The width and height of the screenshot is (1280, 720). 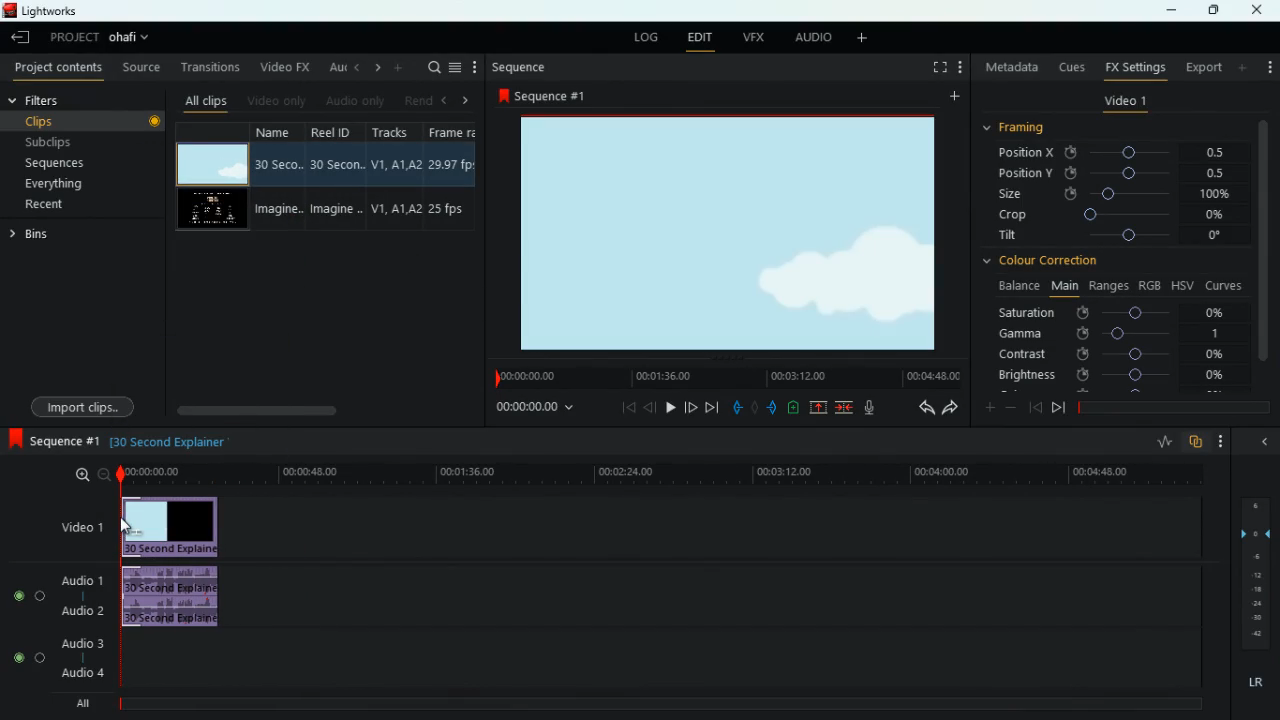 I want to click on Setting, so click(x=960, y=67).